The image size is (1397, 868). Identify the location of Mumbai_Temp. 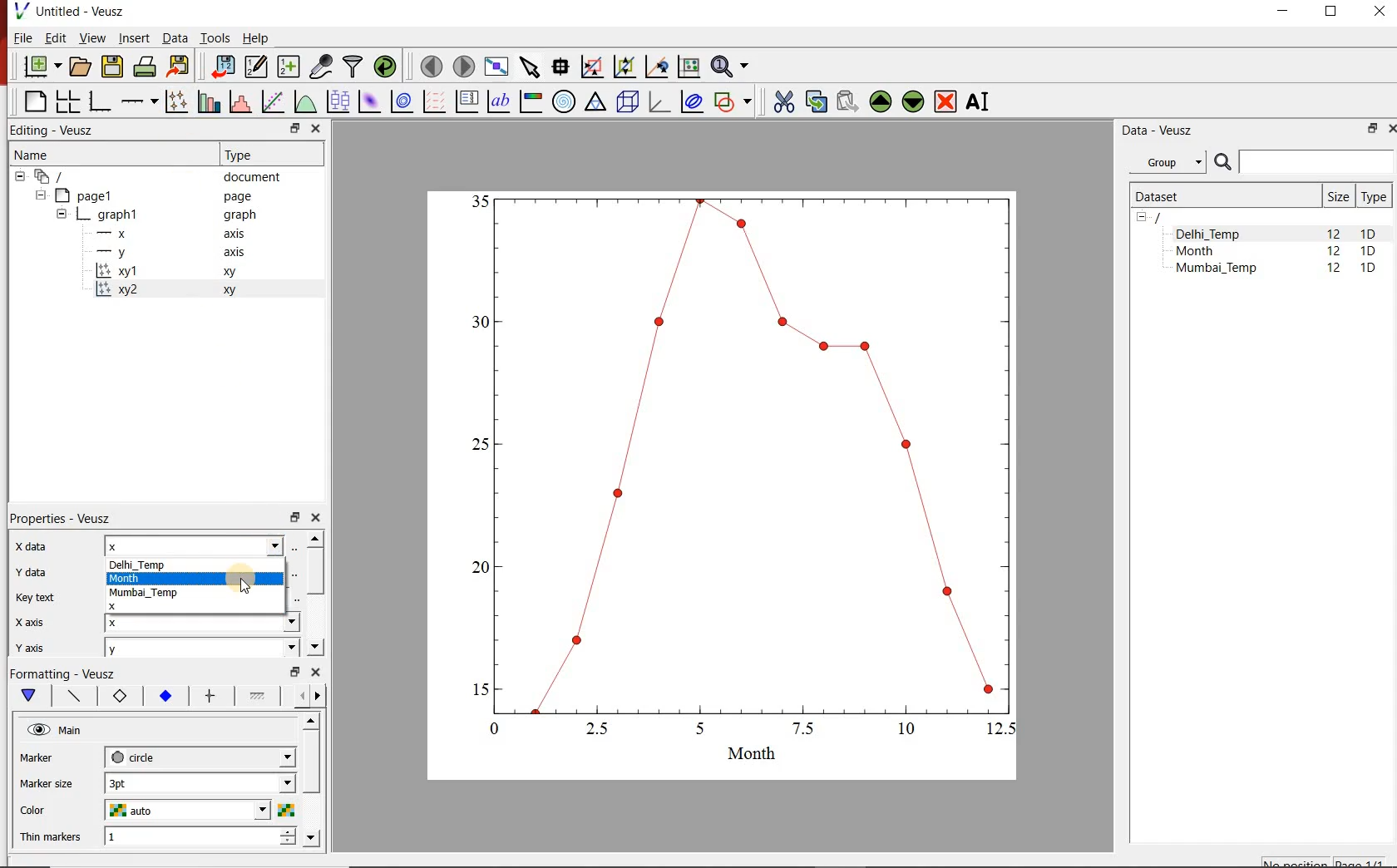
(144, 594).